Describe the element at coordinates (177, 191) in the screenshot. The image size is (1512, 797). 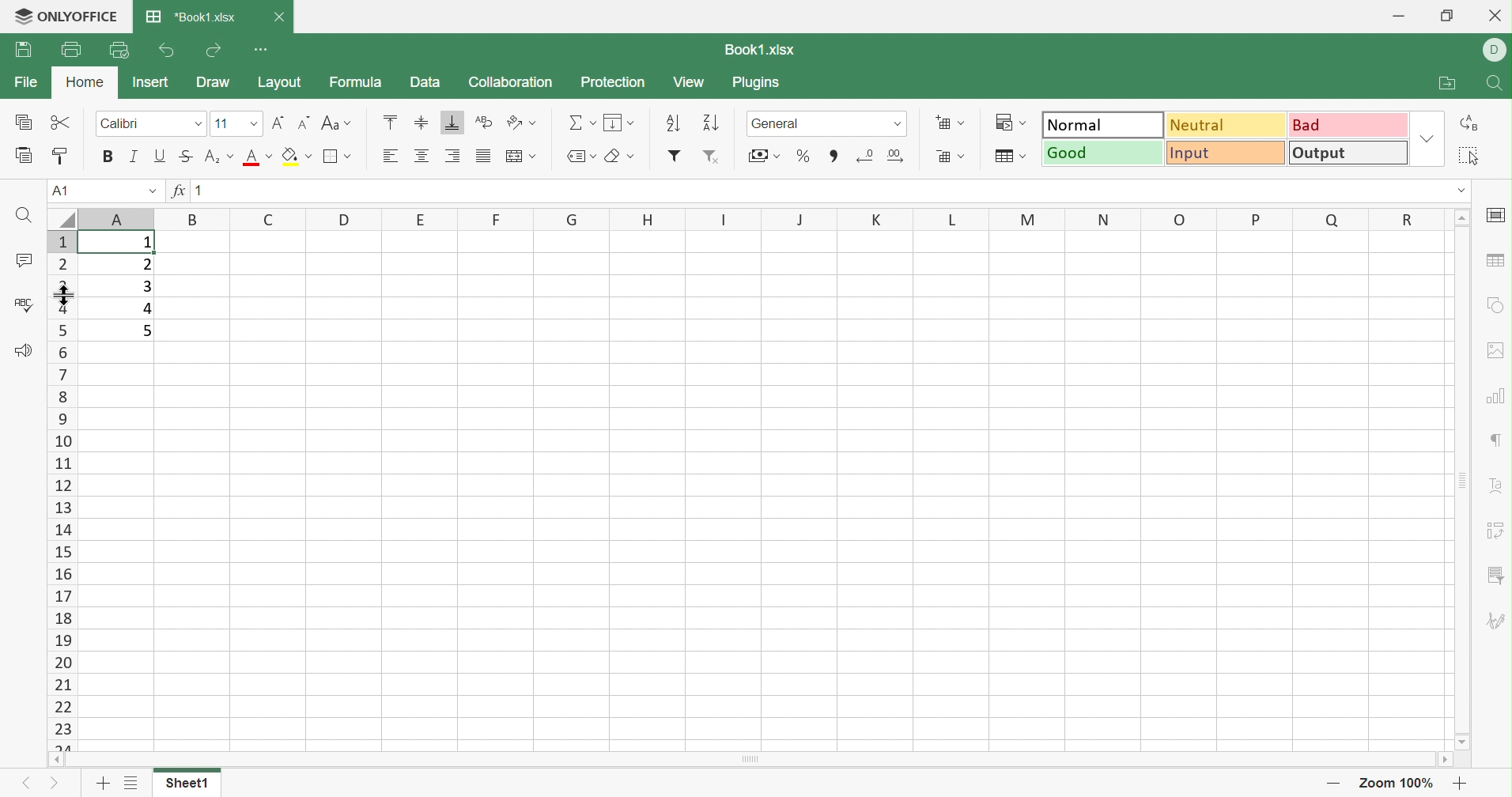
I see `` at that location.